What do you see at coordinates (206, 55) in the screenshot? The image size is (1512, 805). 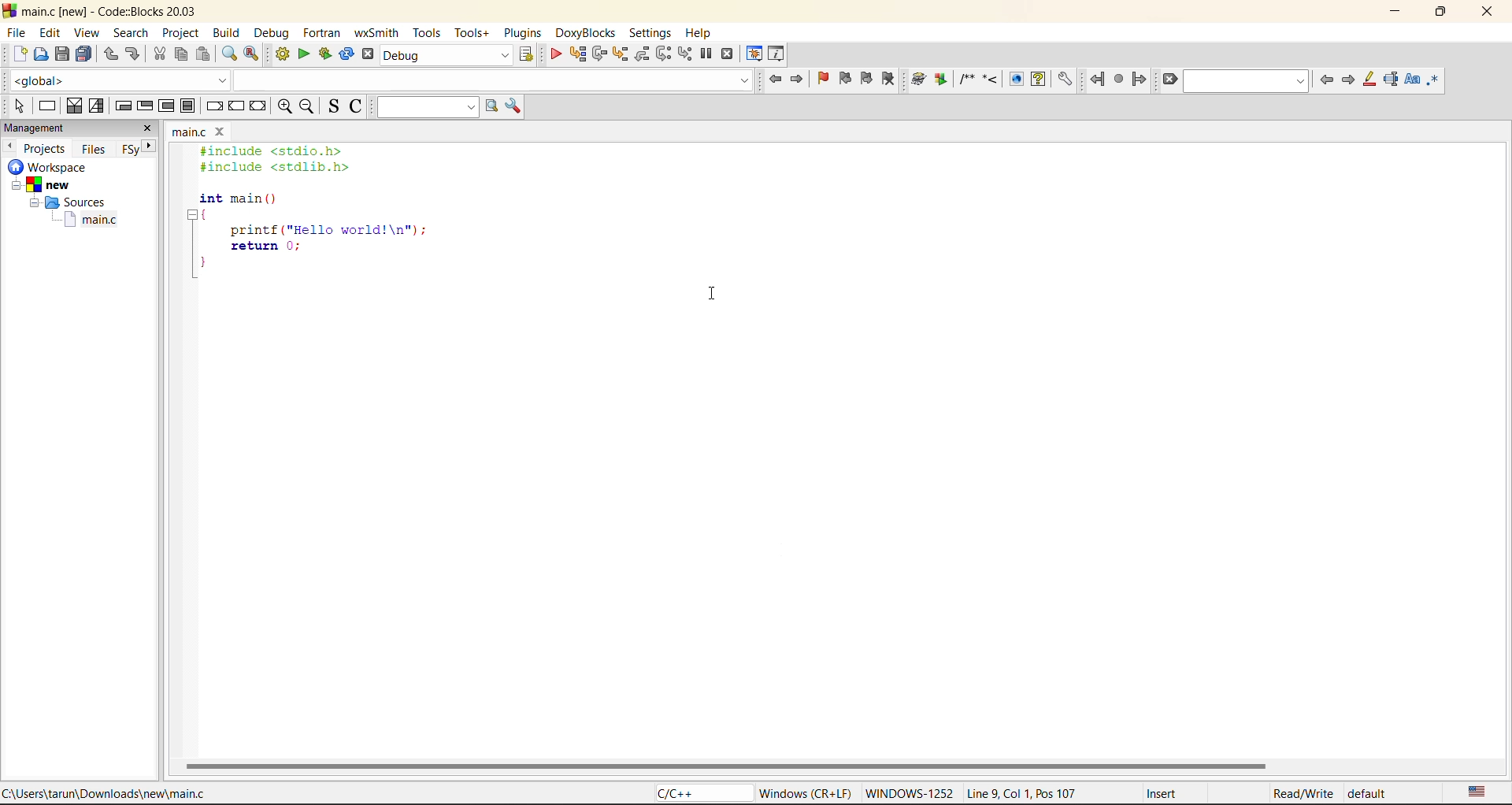 I see `paste` at bounding box center [206, 55].